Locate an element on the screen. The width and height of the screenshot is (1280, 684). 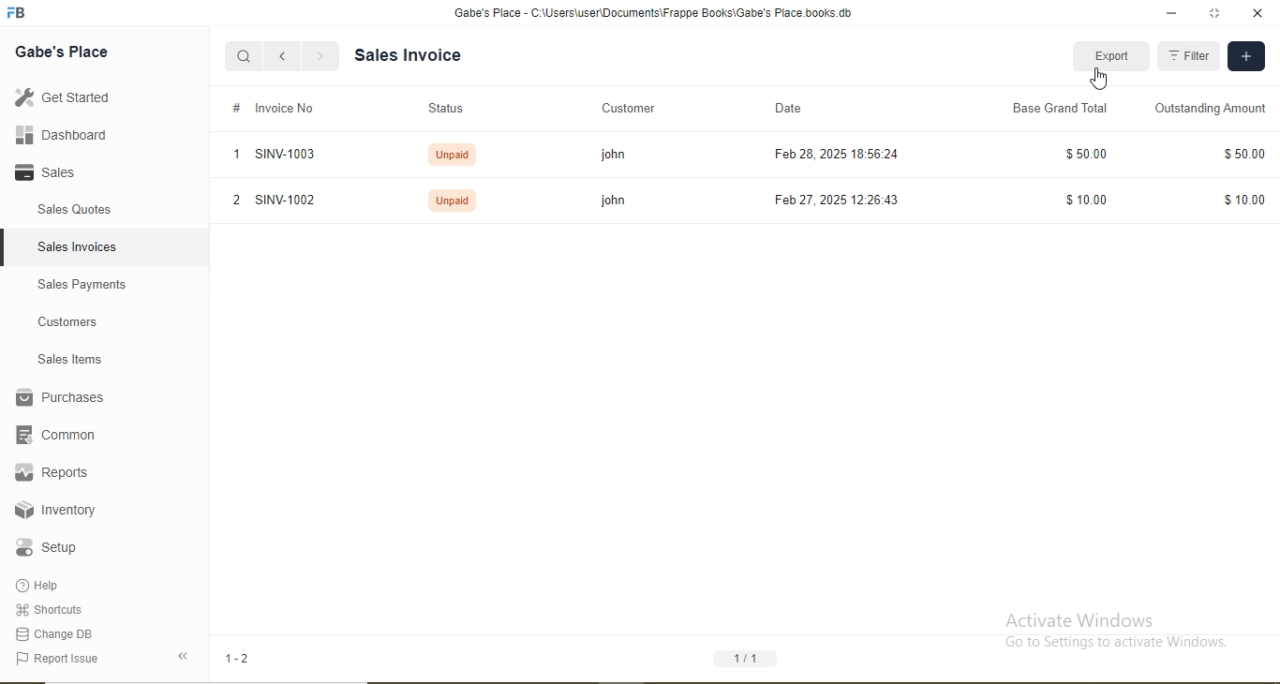
Help is located at coordinates (50, 584).